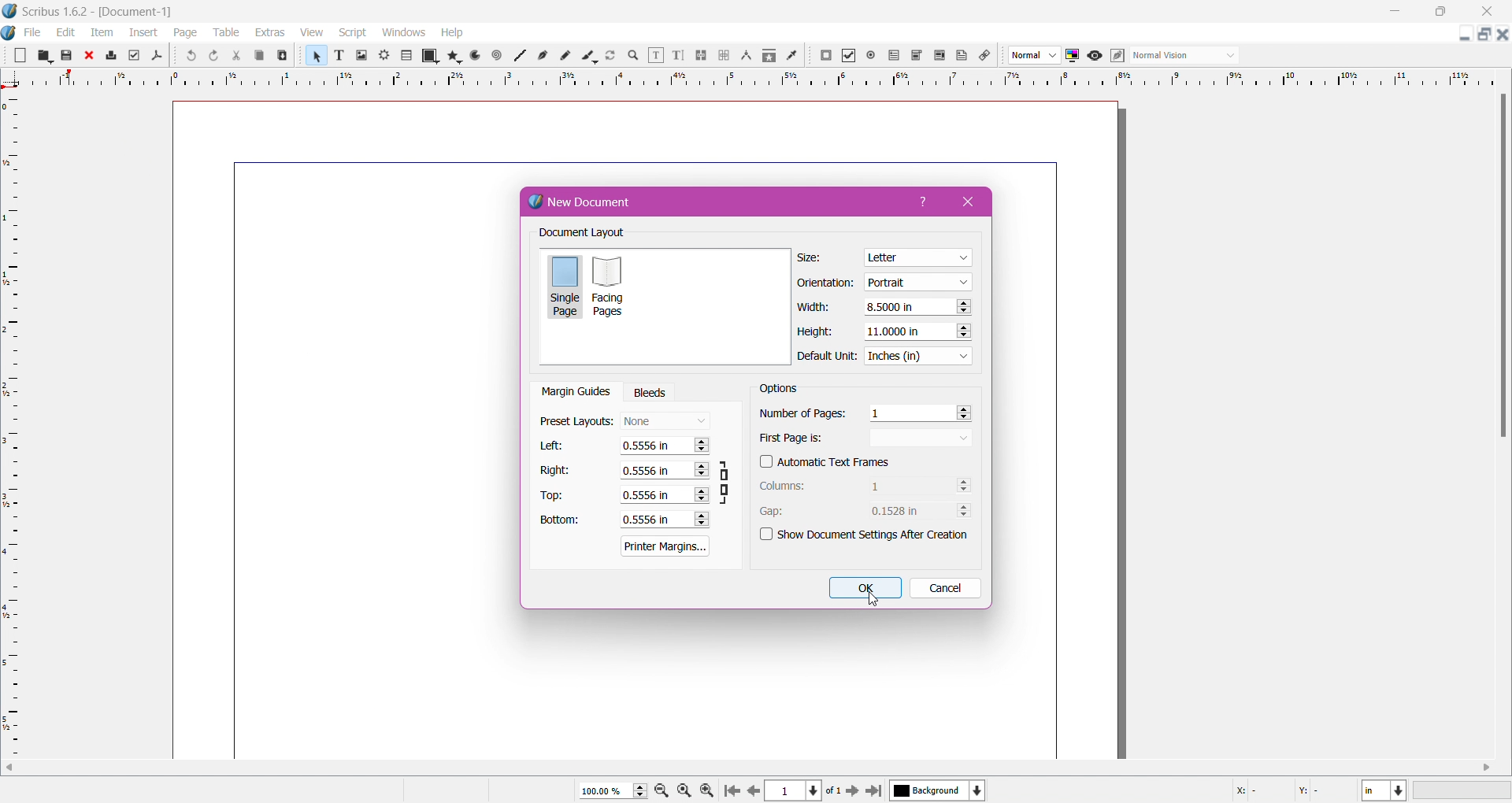 This screenshot has height=803, width=1512. I want to click on Windows, so click(403, 32).